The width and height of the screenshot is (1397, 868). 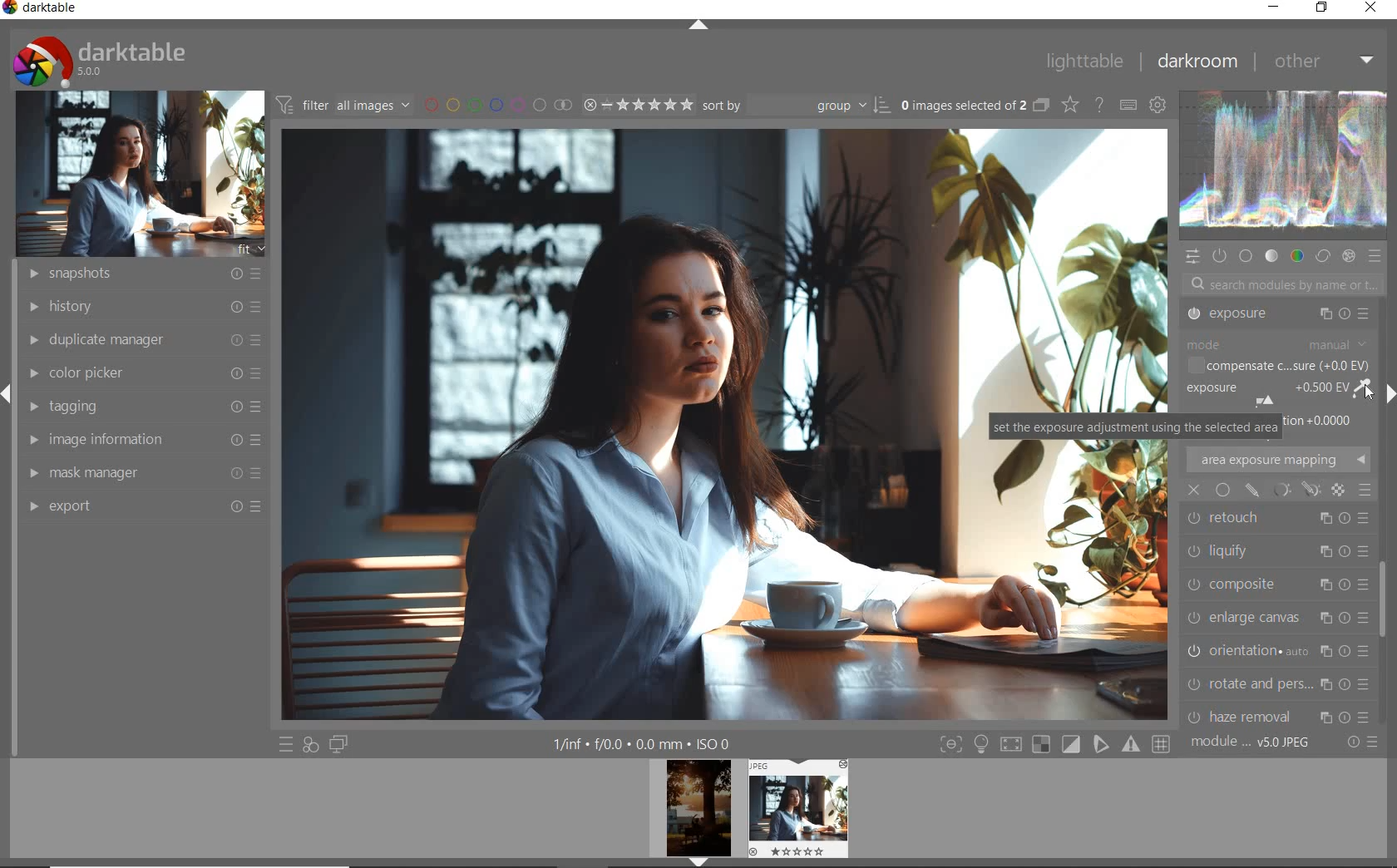 I want to click on SCROLLBAR, so click(x=1386, y=608).